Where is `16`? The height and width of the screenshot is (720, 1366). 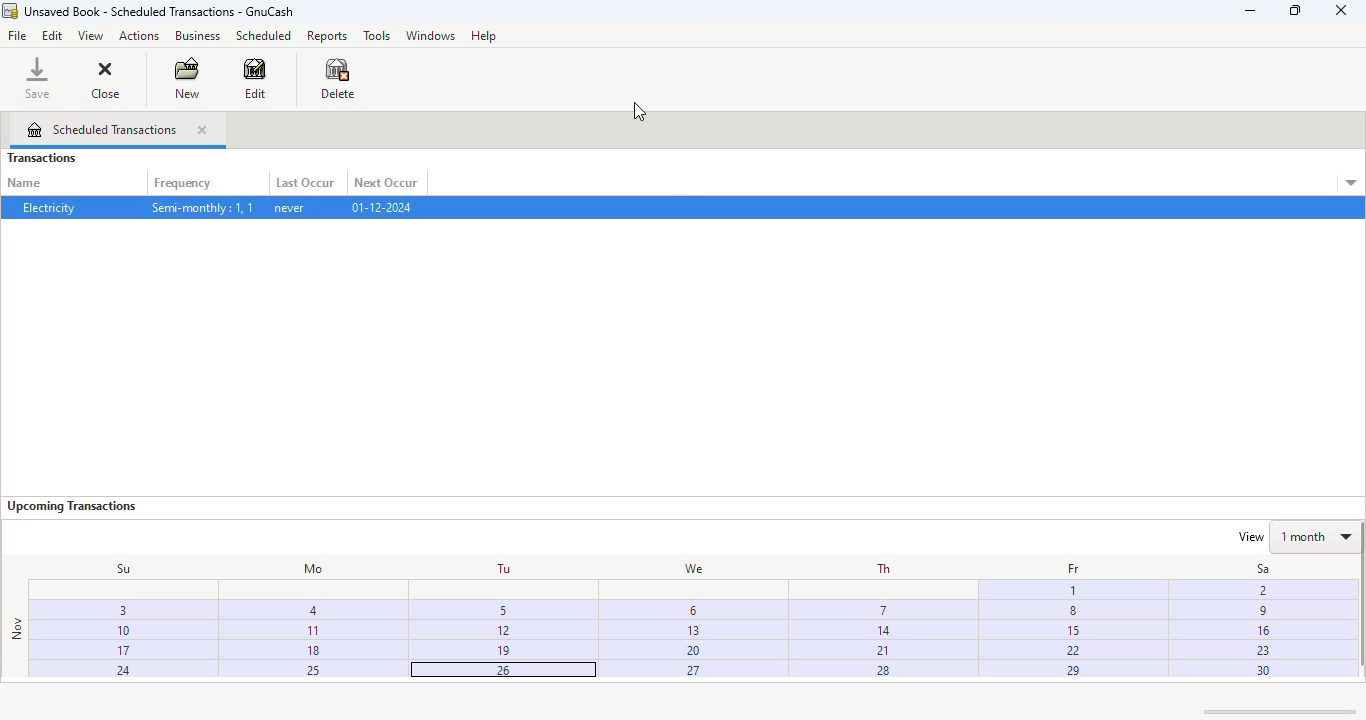 16 is located at coordinates (1261, 631).